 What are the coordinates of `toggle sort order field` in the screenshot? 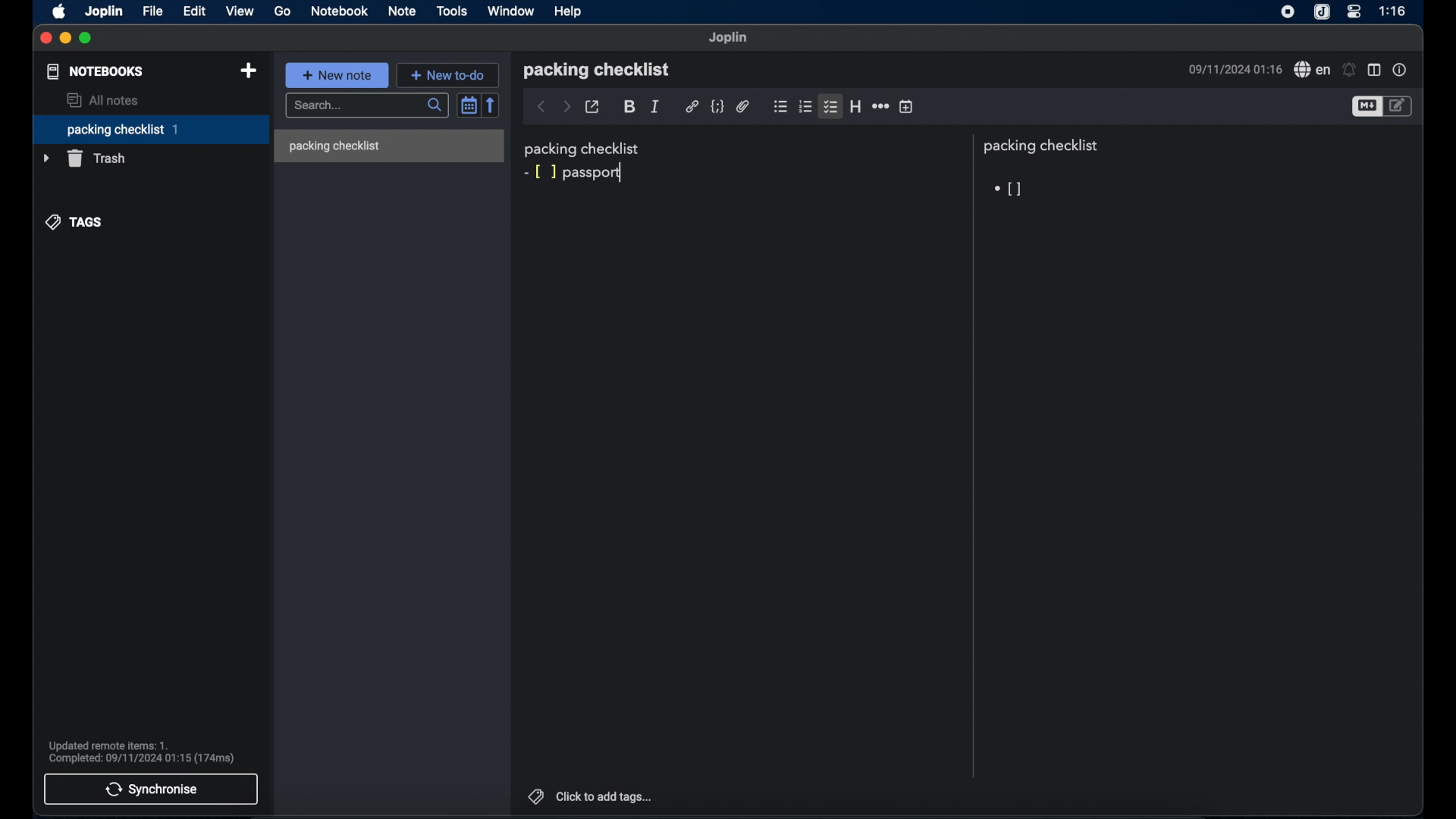 It's located at (468, 105).